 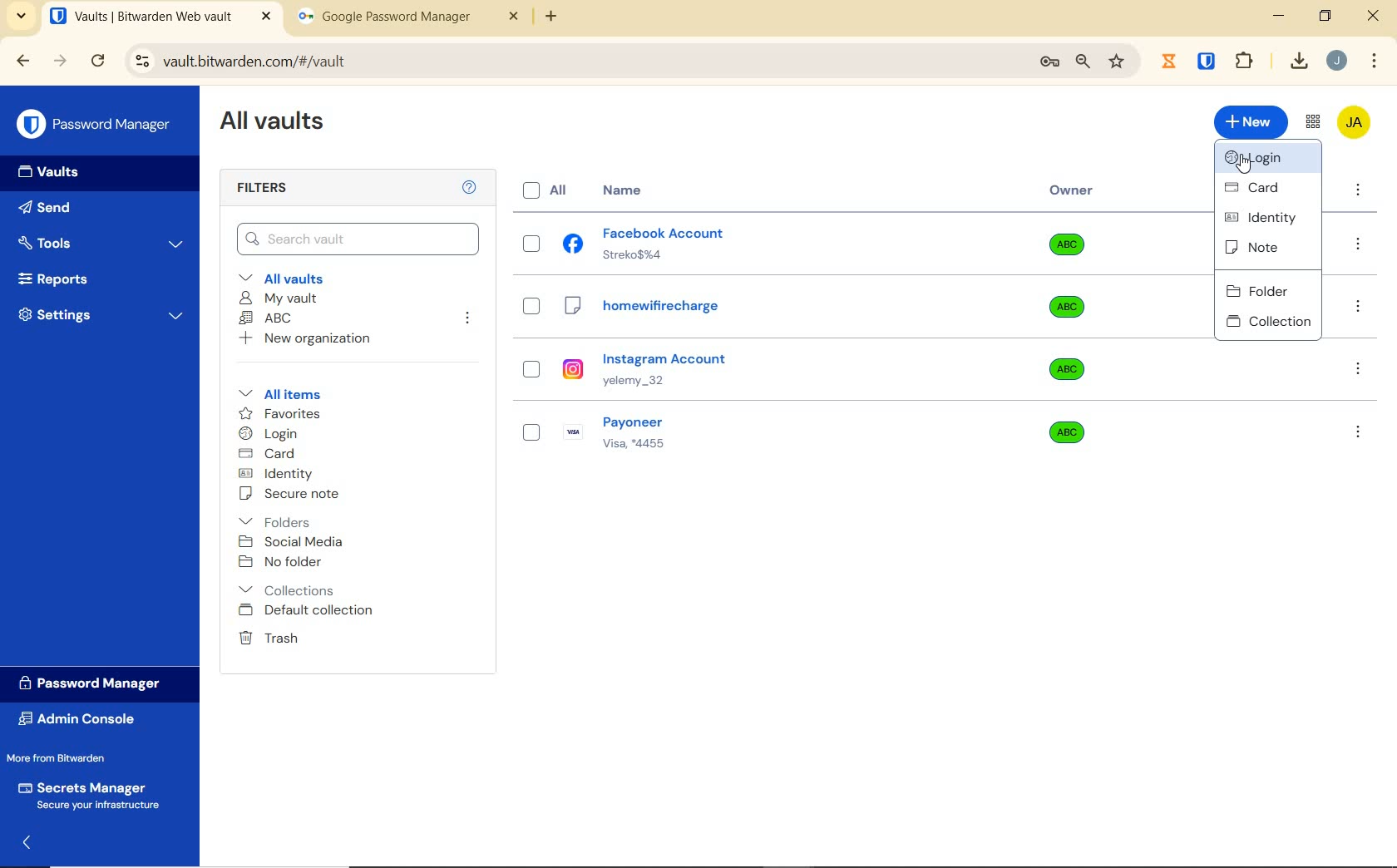 What do you see at coordinates (160, 17) in the screenshot?
I see `open tab` at bounding box center [160, 17].